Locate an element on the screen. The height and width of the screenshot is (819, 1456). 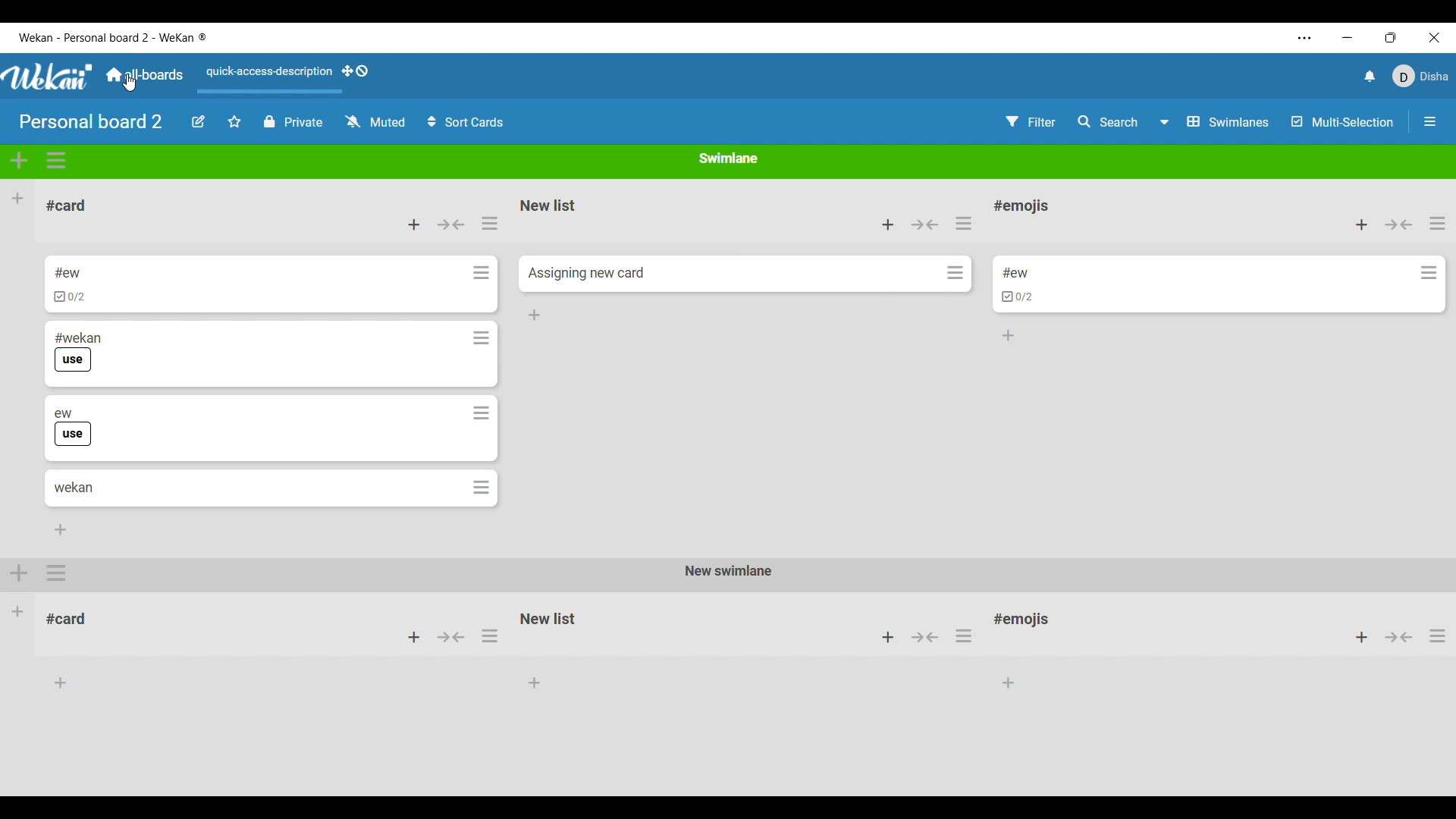
card title is located at coordinates (1028, 618).